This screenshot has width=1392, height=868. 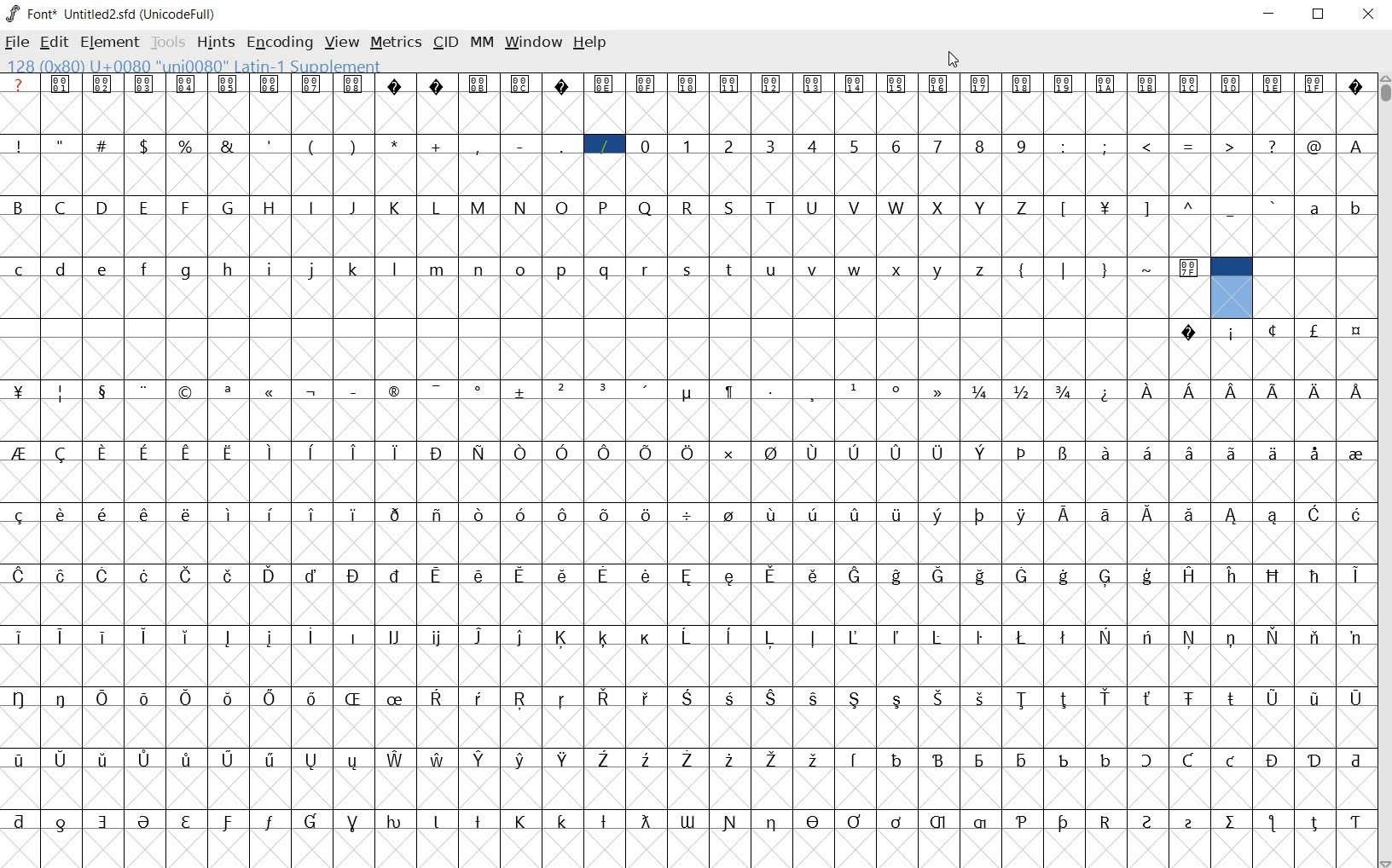 What do you see at coordinates (1106, 146) in the screenshot?
I see `;` at bounding box center [1106, 146].